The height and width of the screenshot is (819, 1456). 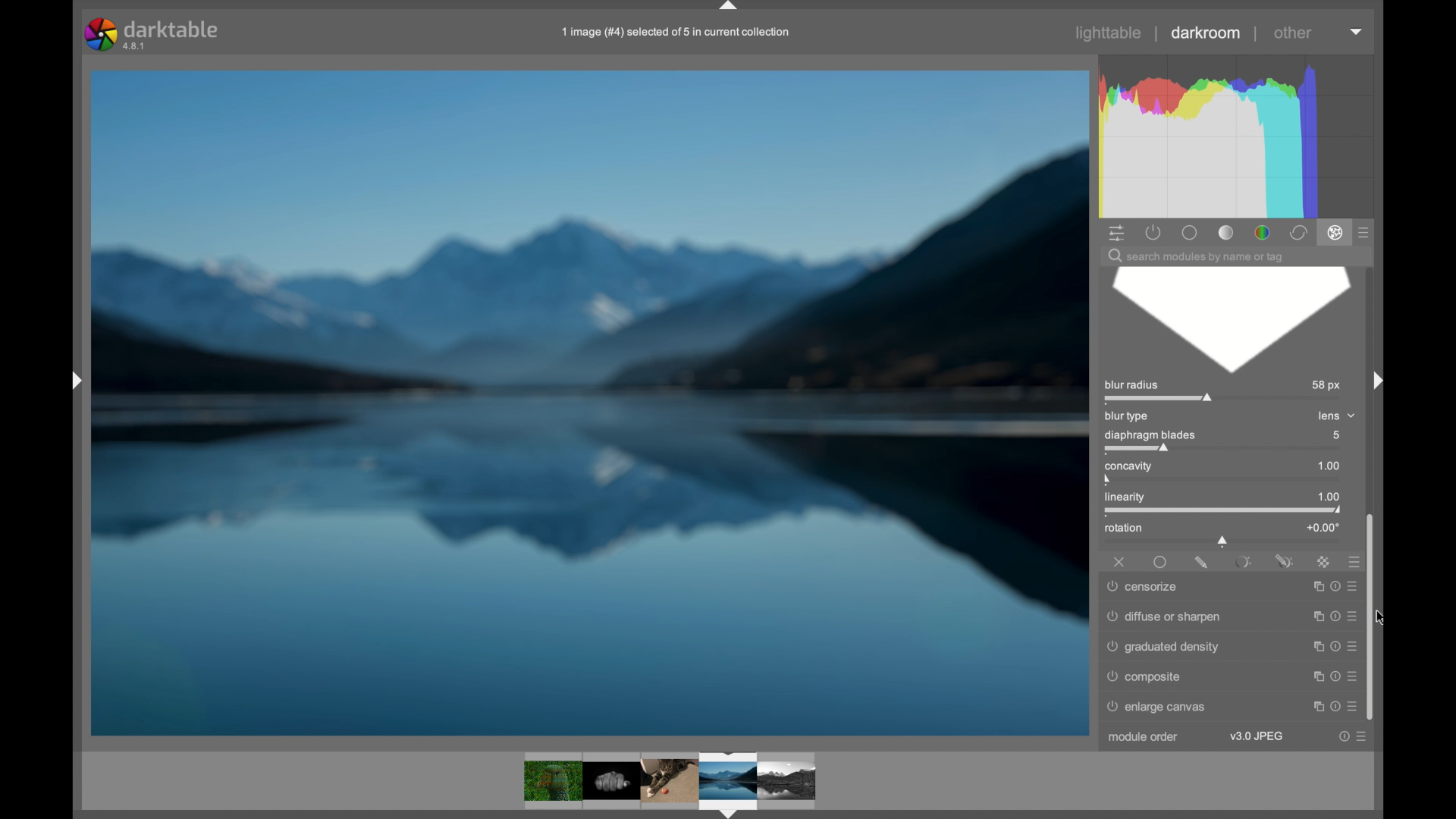 I want to click on Help, so click(x=1335, y=584).